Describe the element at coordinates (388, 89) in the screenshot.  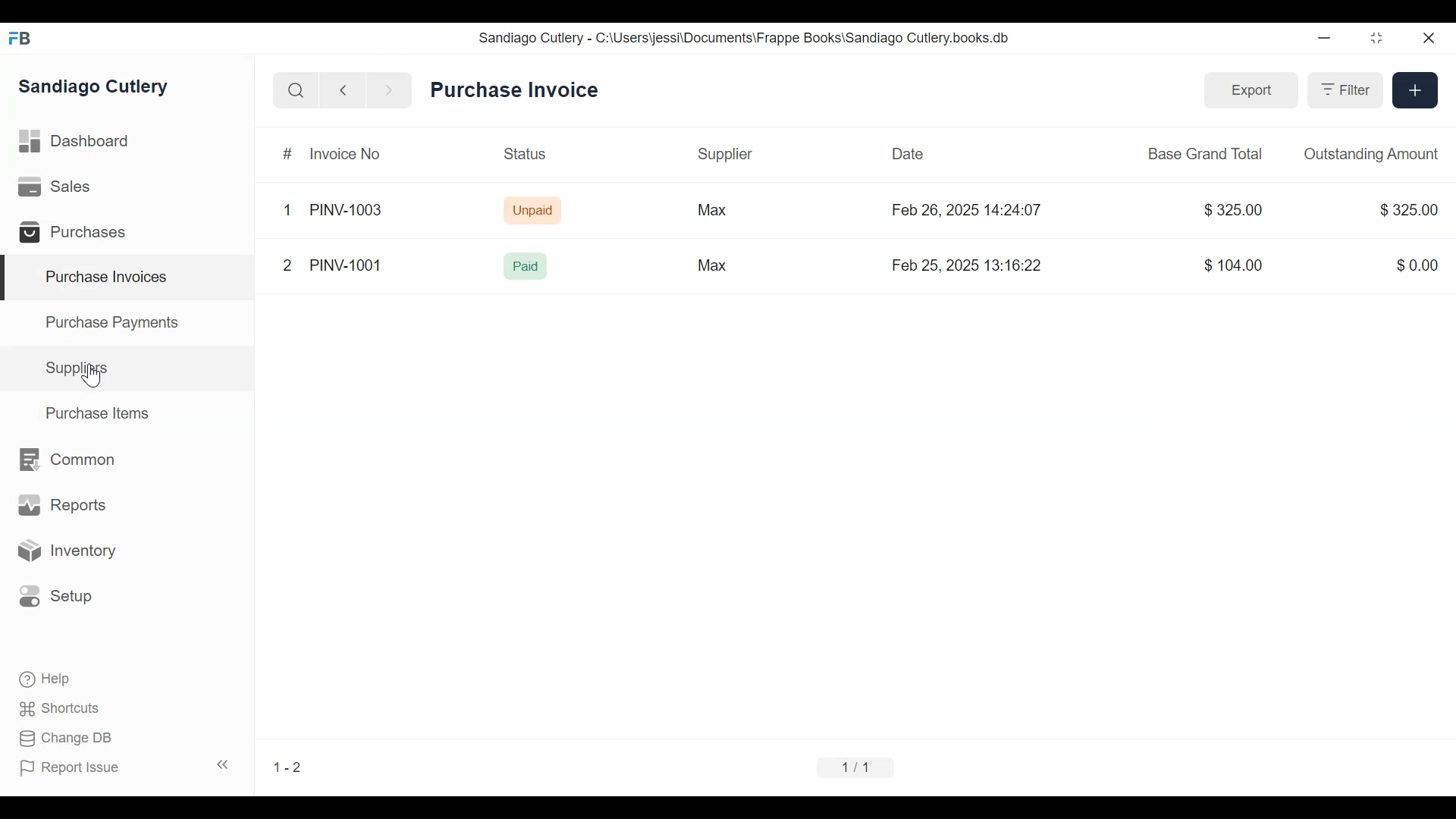
I see `next` at that location.